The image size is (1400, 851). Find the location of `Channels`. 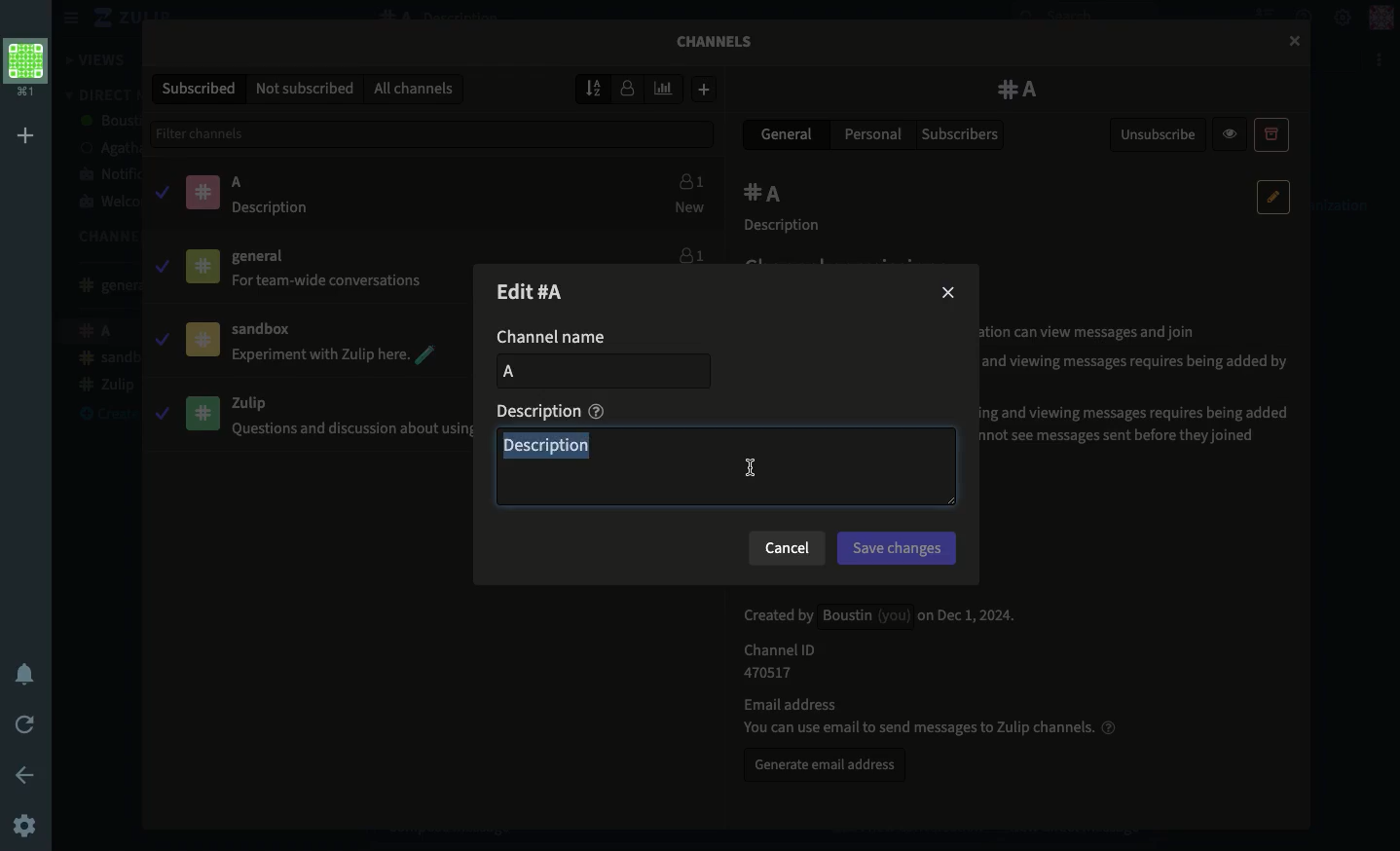

Channels is located at coordinates (100, 237).